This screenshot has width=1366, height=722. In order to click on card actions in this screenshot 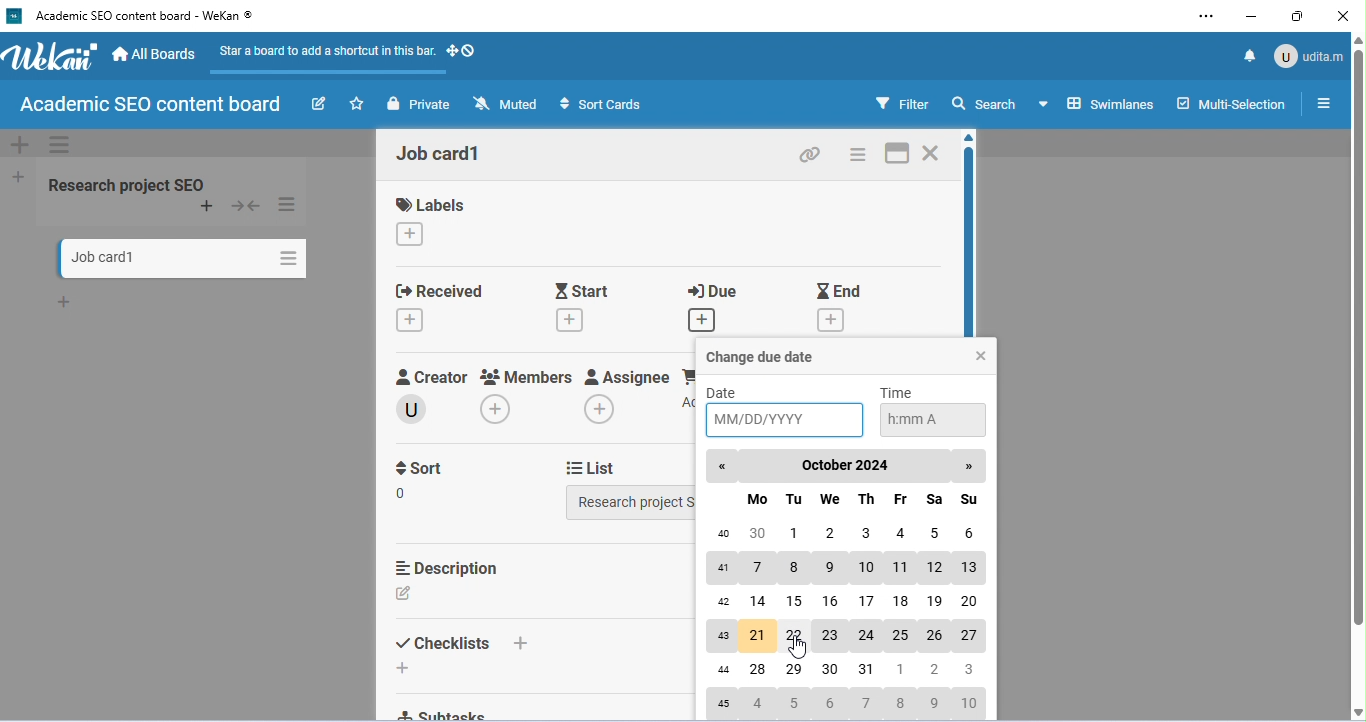, I will do `click(857, 154)`.